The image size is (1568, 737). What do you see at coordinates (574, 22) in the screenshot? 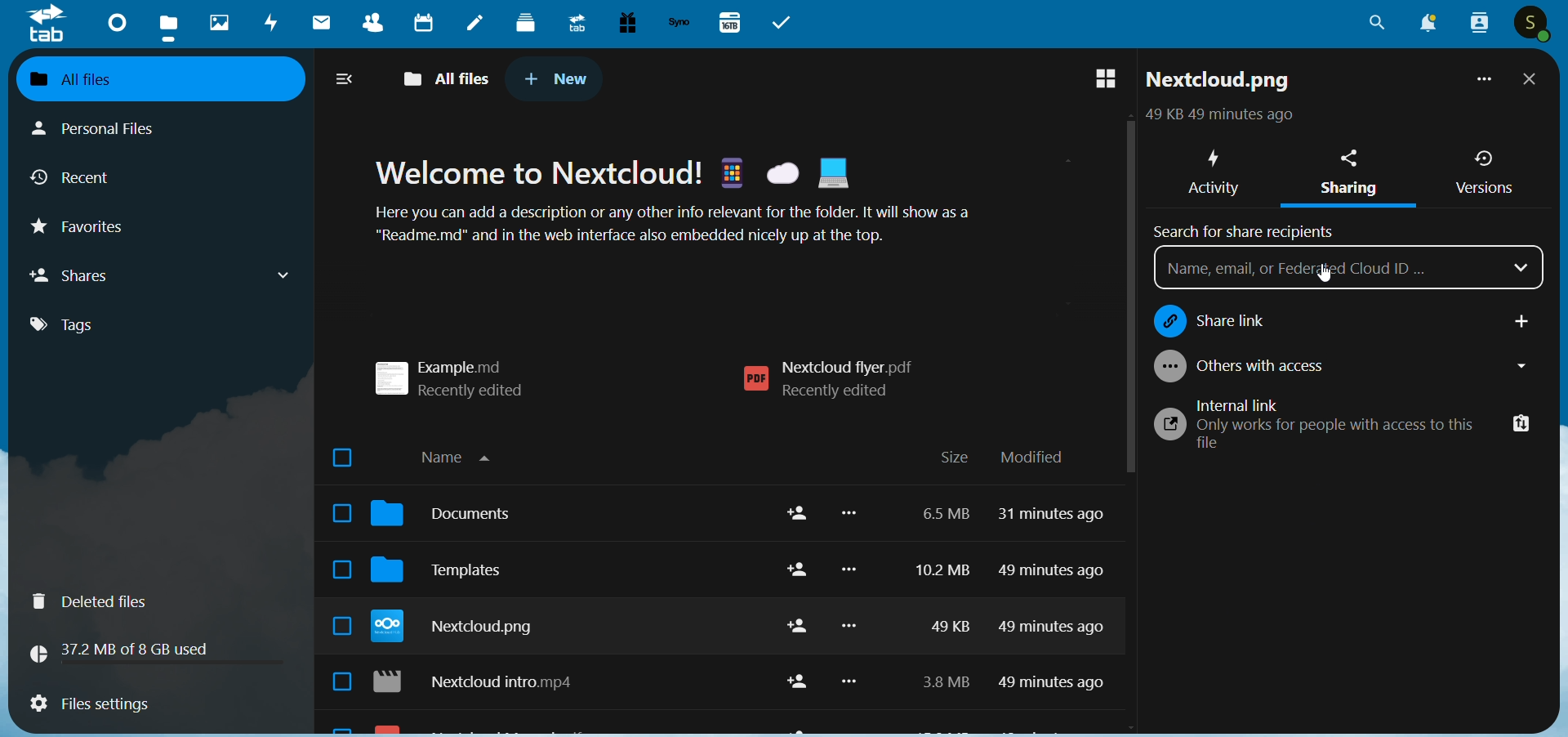
I see `upgrade` at bounding box center [574, 22].